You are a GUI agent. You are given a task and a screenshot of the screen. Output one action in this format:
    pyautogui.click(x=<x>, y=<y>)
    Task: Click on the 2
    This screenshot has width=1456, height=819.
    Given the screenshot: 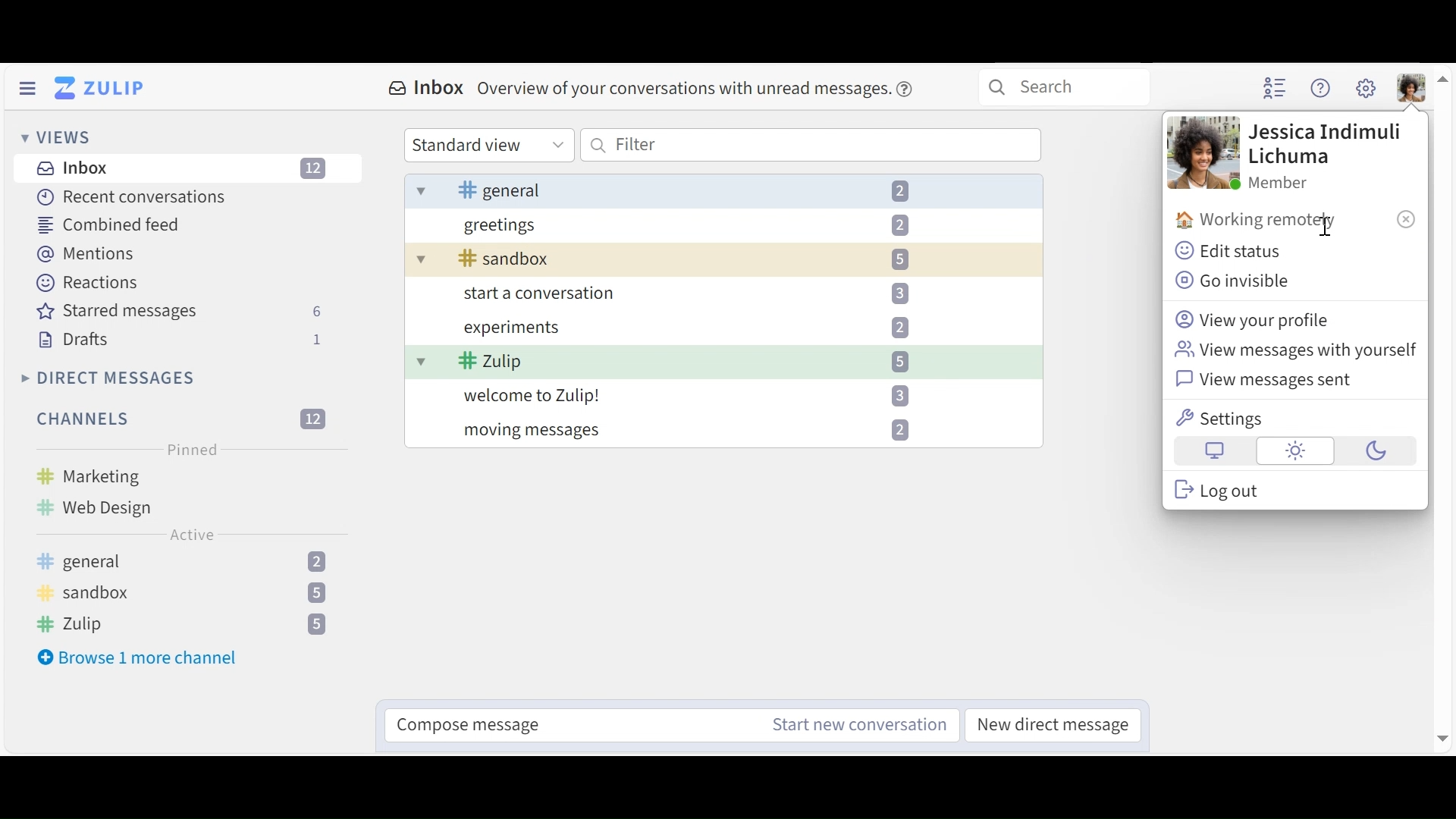 What is the action you would take?
    pyautogui.click(x=901, y=328)
    